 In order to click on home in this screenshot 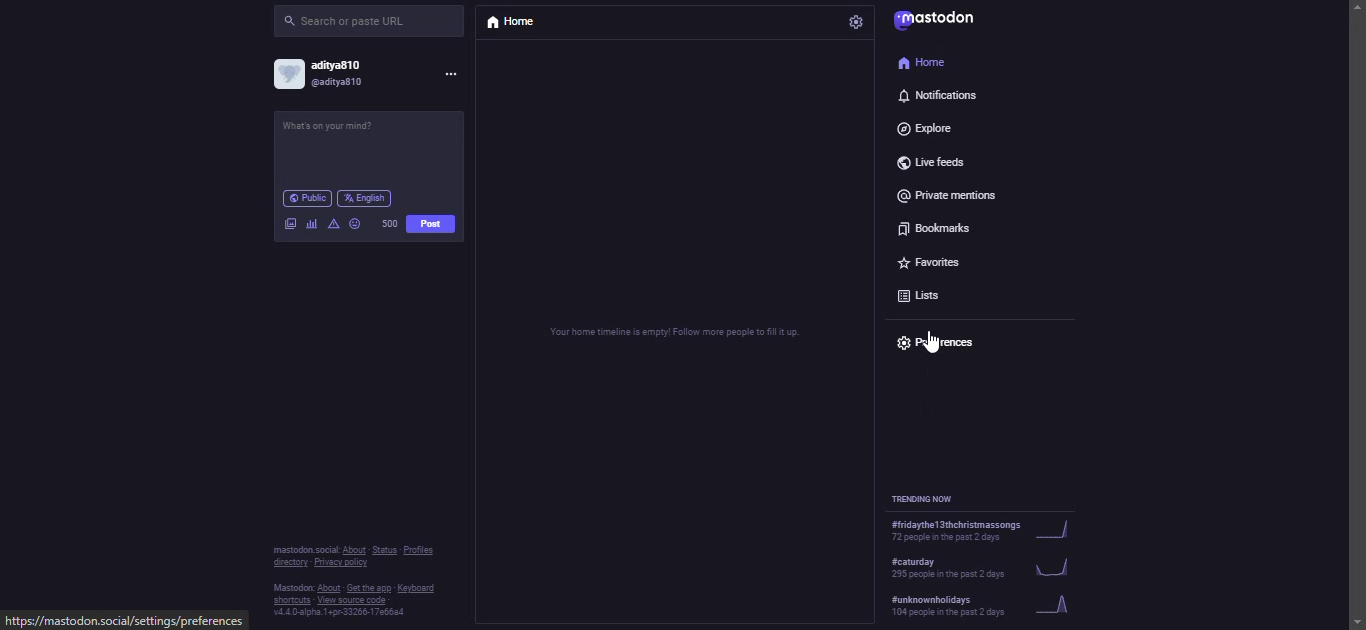, I will do `click(522, 24)`.